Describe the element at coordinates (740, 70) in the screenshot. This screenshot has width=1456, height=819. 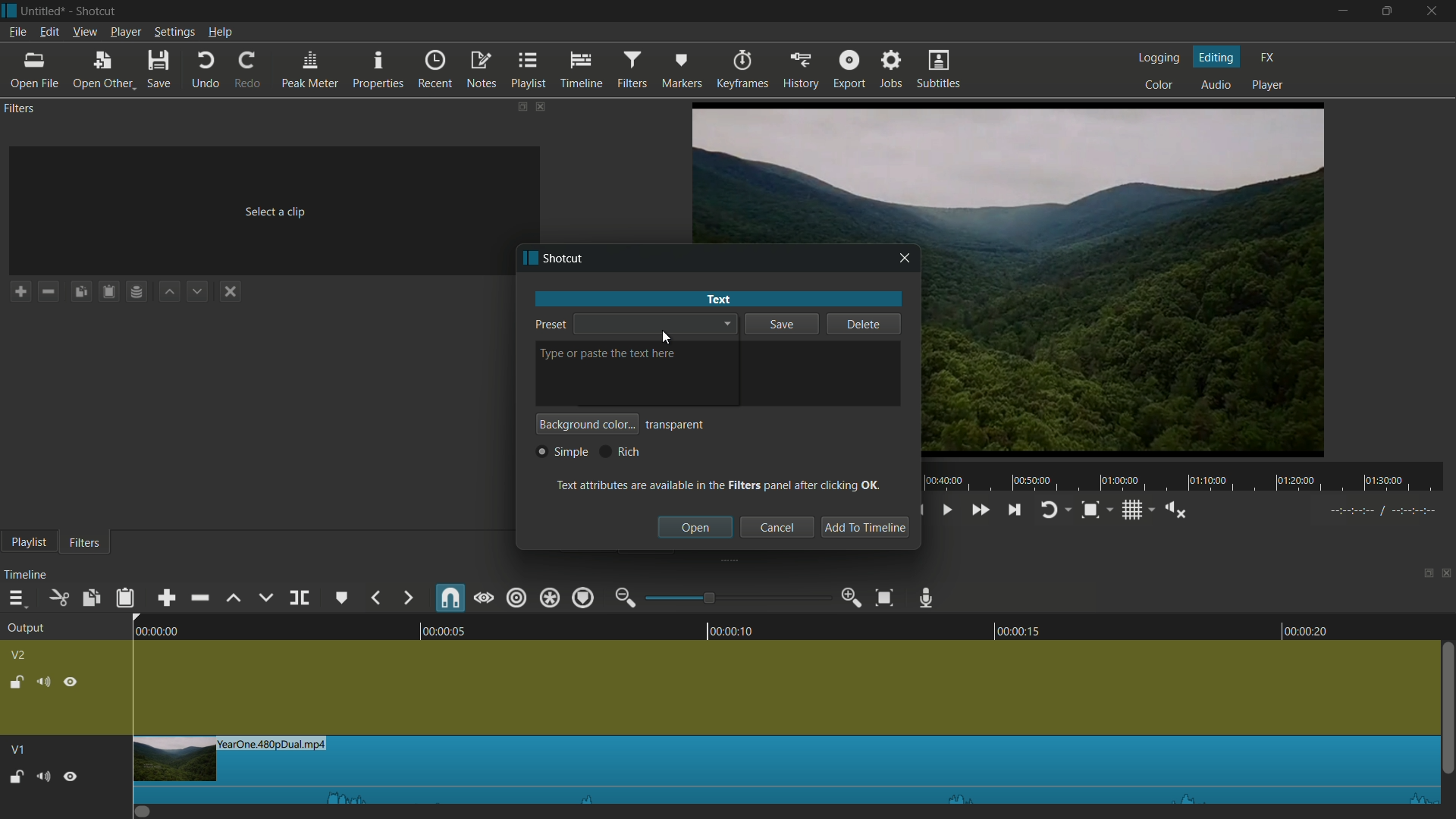
I see `keyframes` at that location.